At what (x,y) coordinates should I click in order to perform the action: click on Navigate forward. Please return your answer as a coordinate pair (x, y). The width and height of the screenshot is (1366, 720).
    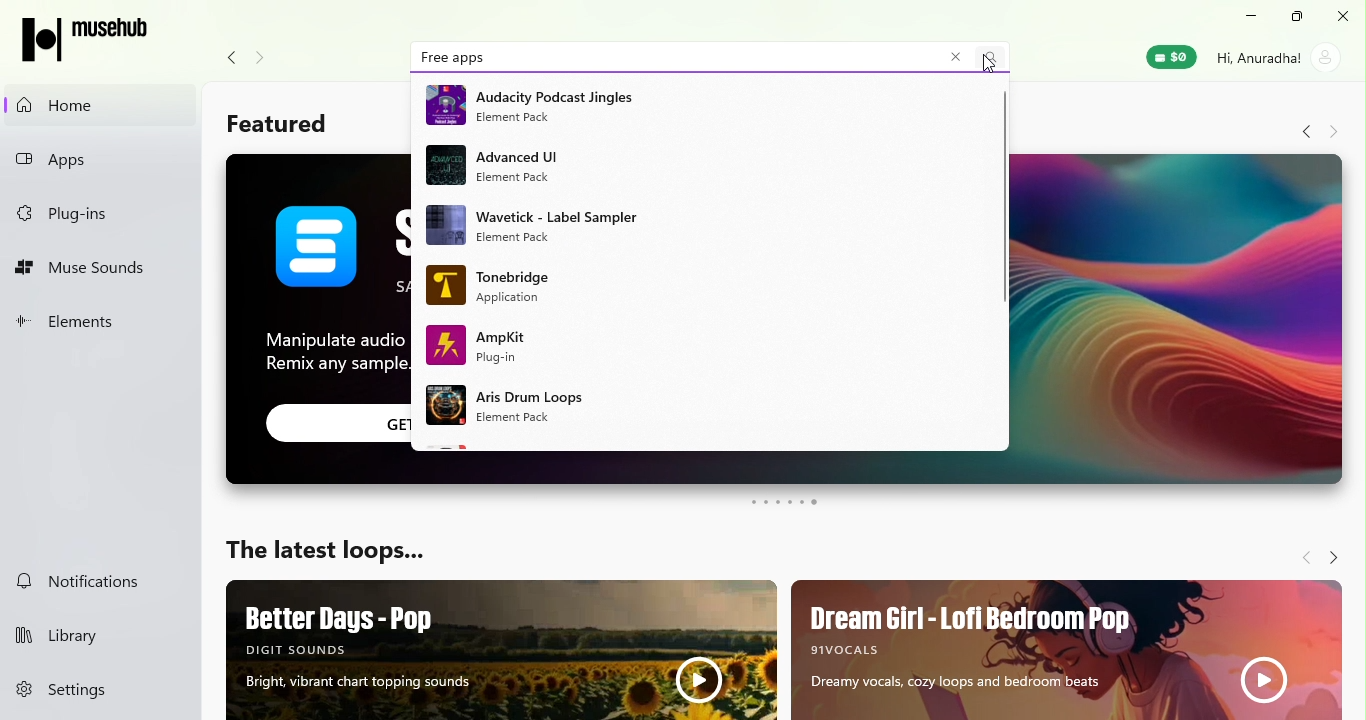
    Looking at the image, I should click on (1333, 132).